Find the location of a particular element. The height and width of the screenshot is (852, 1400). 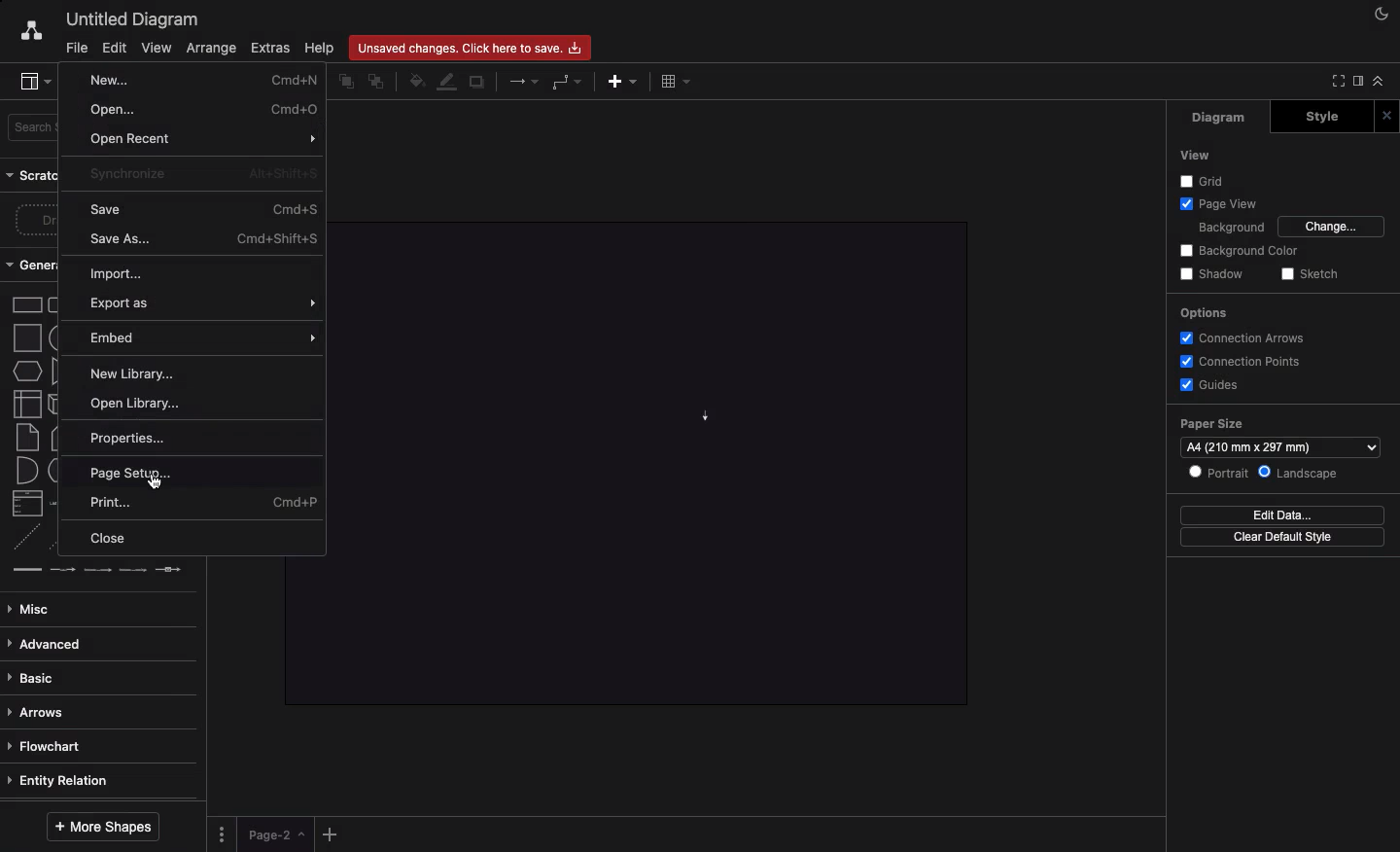

Page is located at coordinates (277, 834).